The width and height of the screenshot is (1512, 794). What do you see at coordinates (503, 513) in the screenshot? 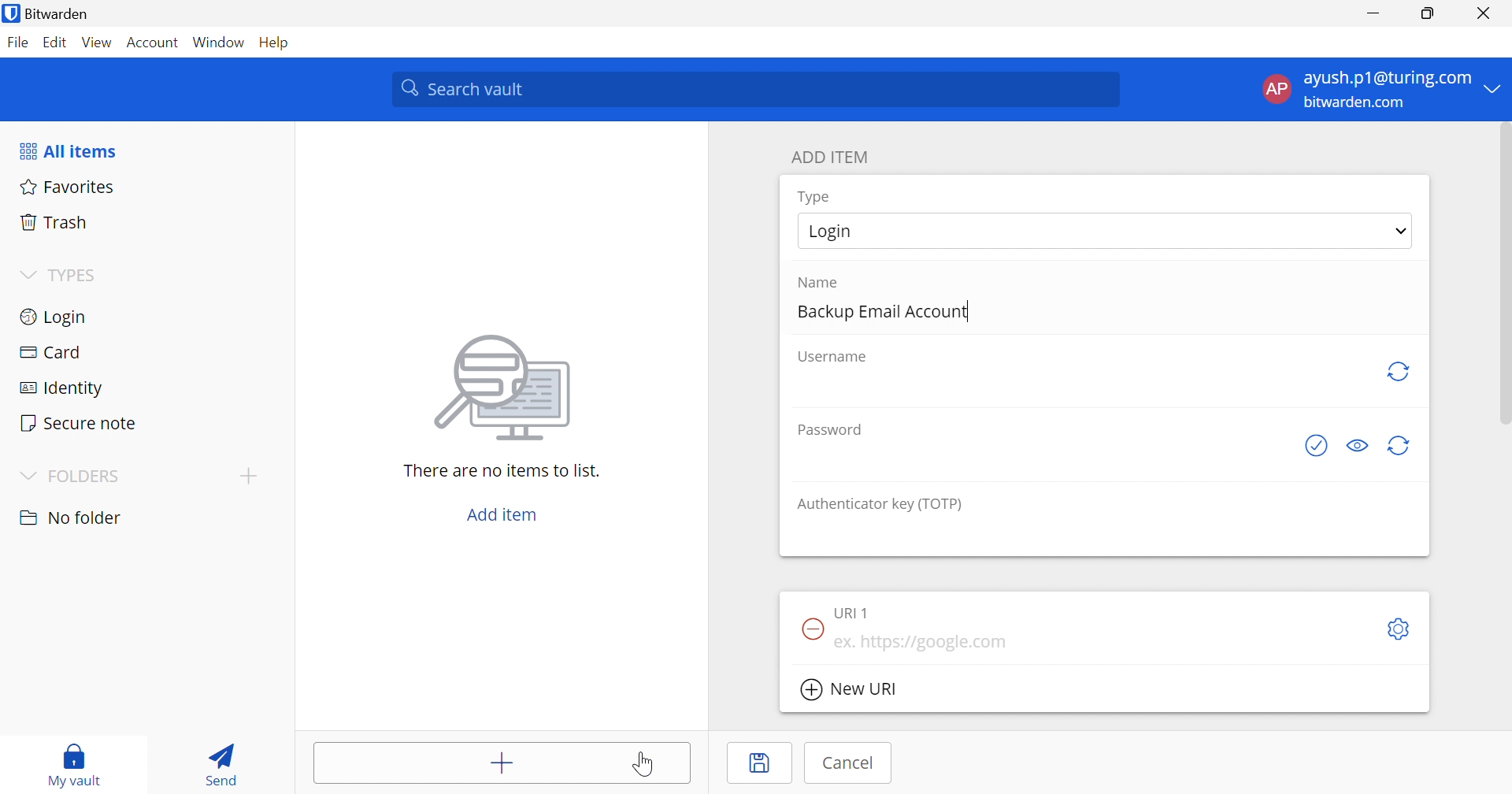
I see `Add item` at bounding box center [503, 513].